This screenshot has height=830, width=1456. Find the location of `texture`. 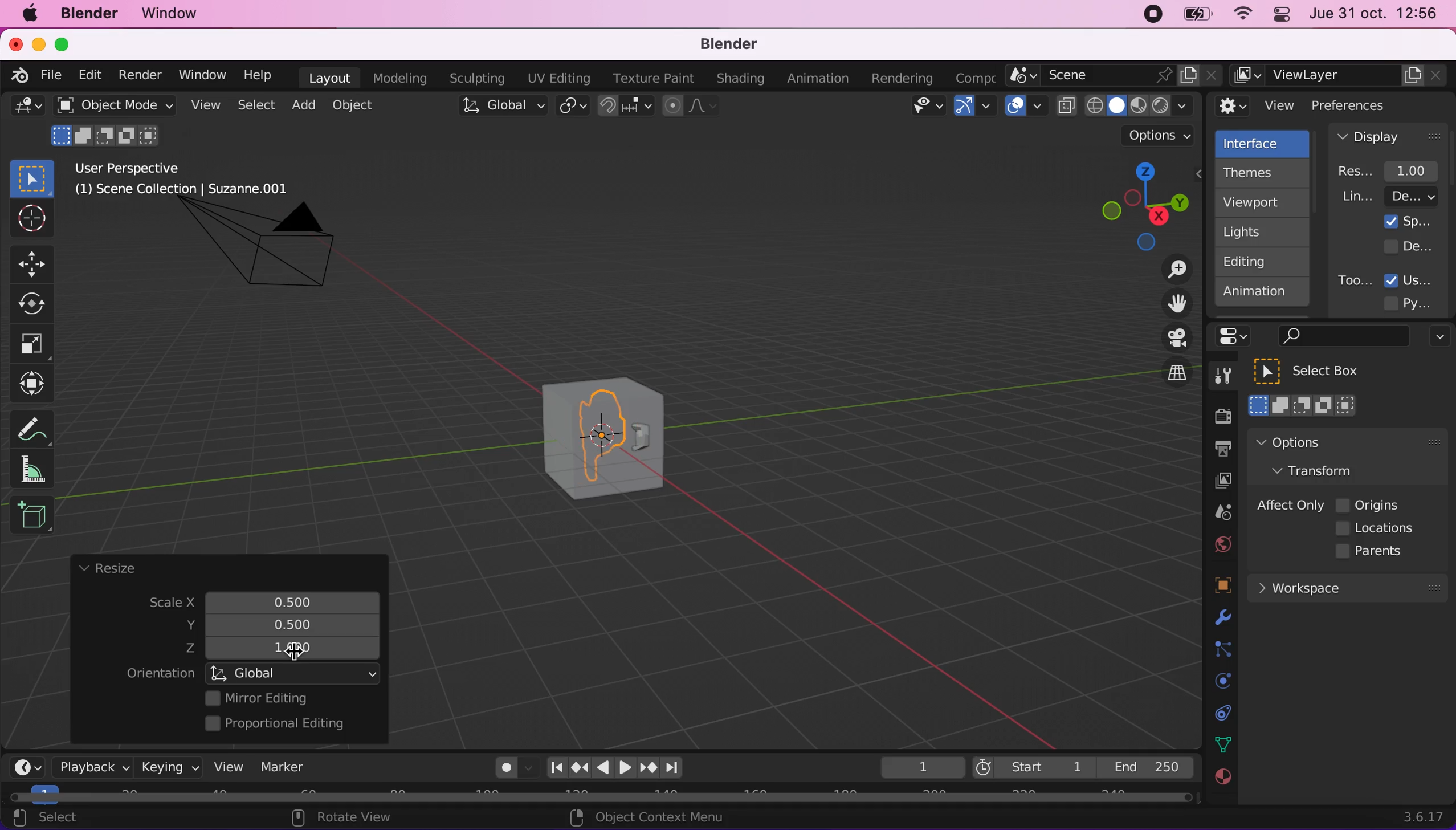

texture is located at coordinates (1221, 783).